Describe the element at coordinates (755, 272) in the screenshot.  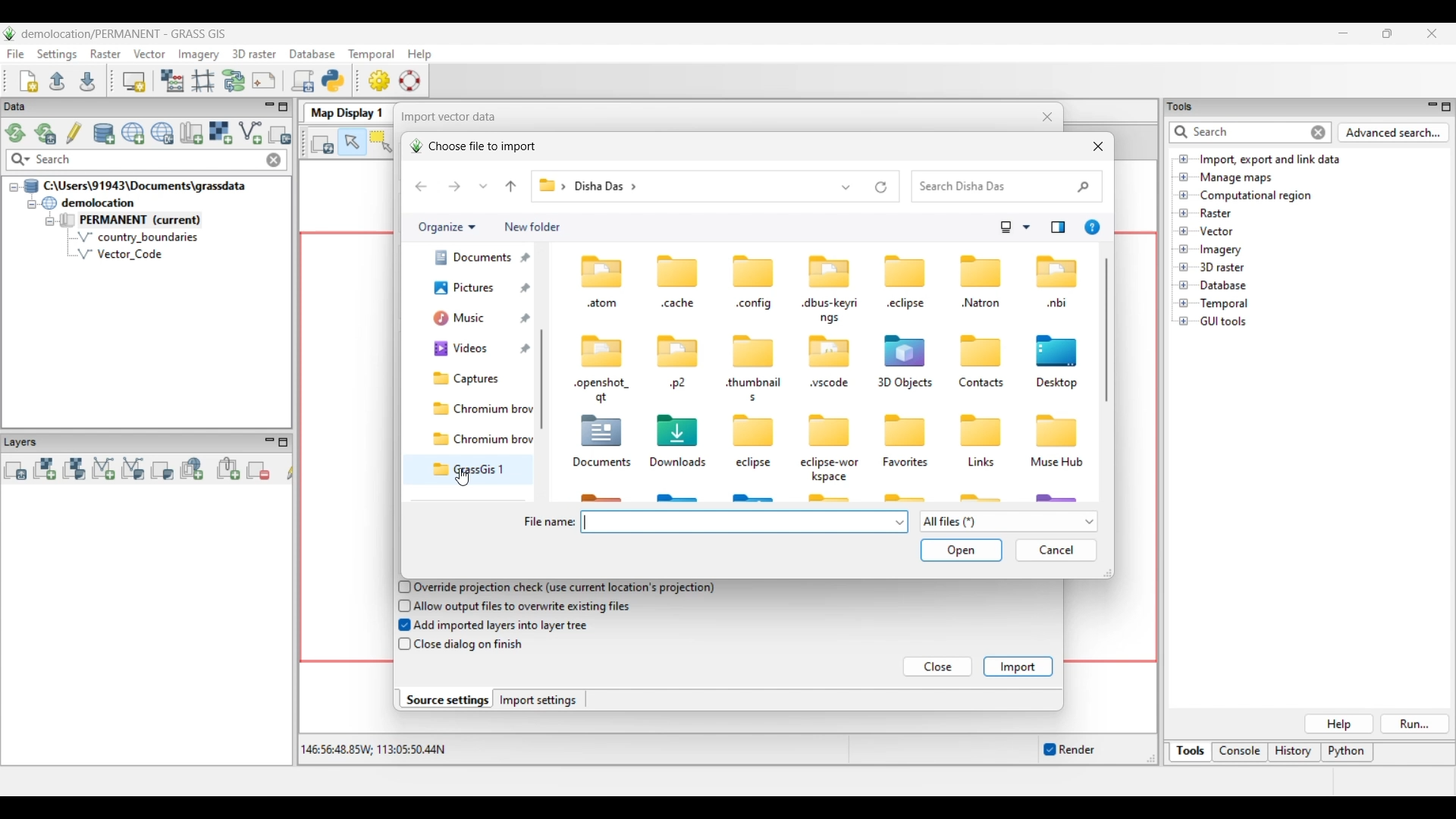
I see `icon` at that location.